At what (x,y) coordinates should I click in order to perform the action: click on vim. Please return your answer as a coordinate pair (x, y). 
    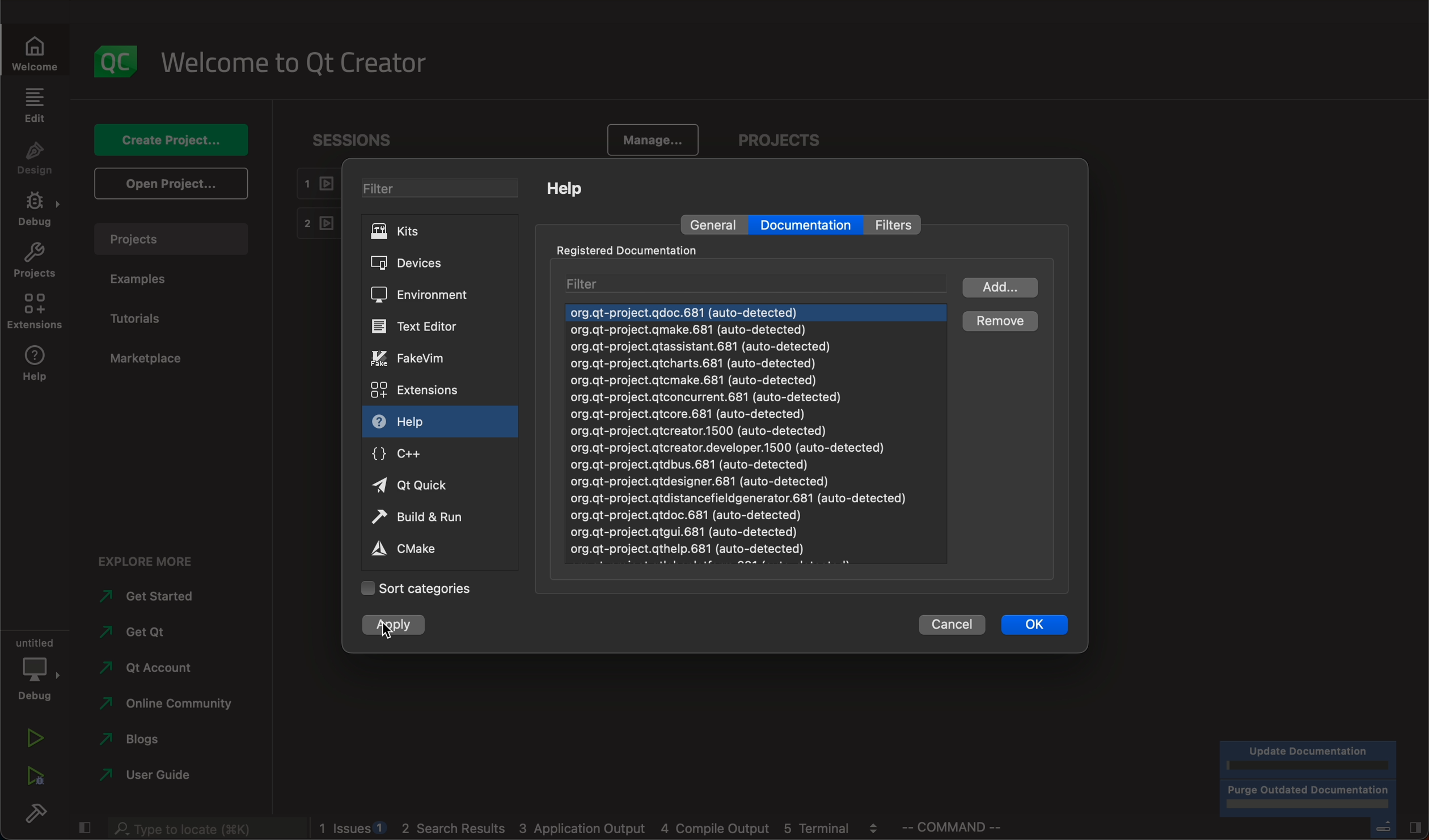
    Looking at the image, I should click on (422, 357).